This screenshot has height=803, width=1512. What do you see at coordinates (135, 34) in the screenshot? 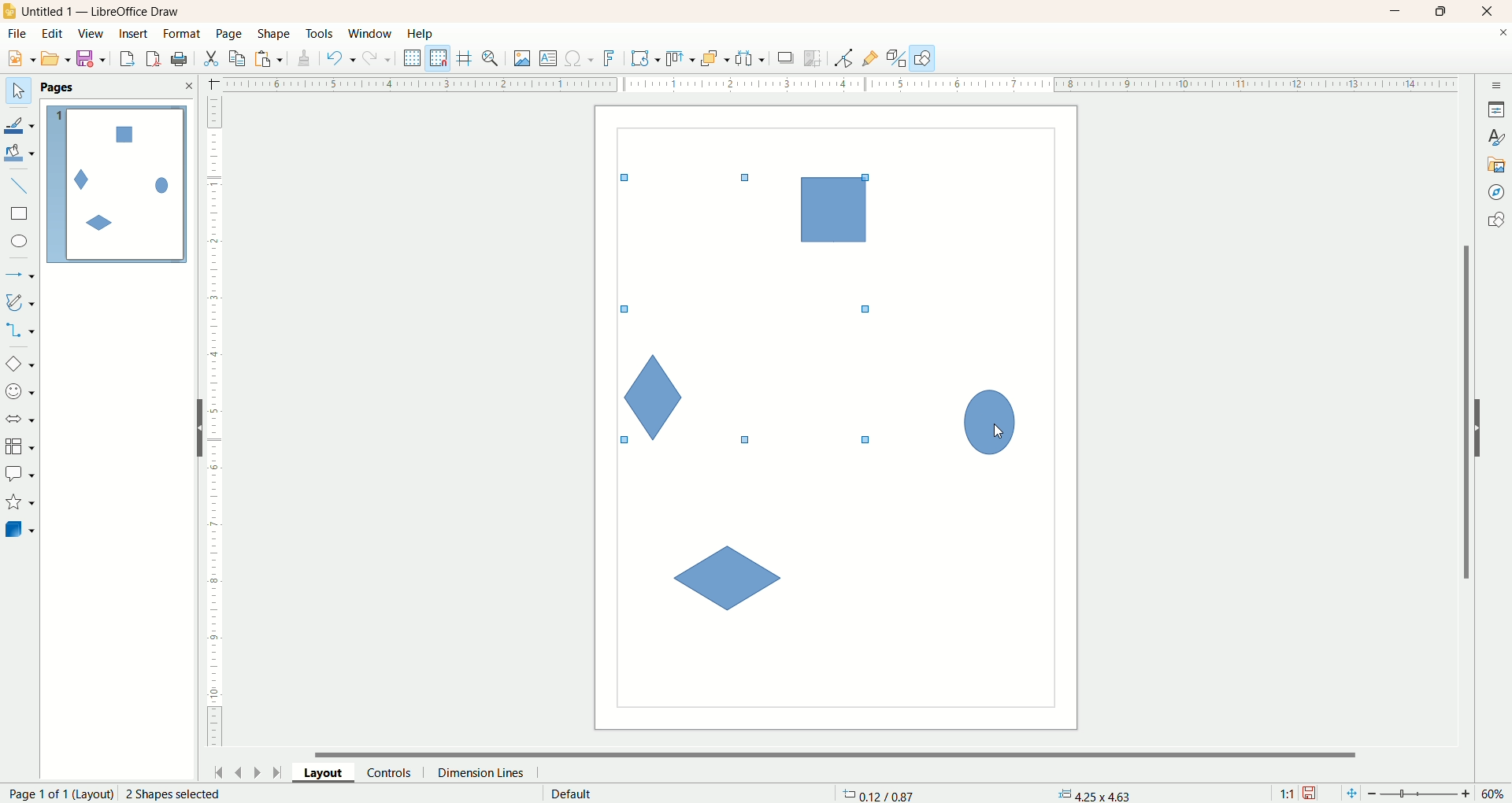
I see `insert` at bounding box center [135, 34].